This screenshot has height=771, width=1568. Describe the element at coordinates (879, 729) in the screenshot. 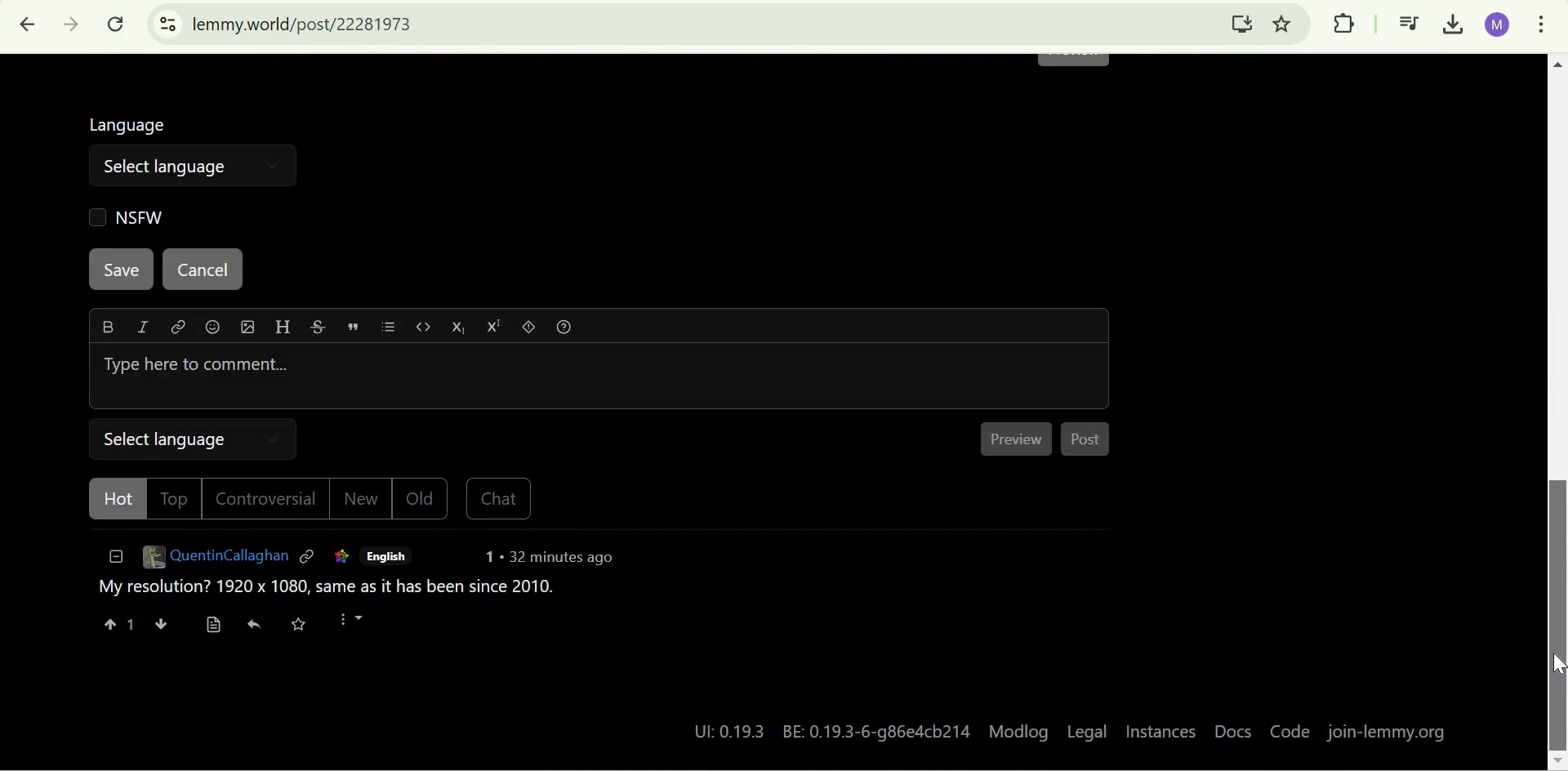

I see `BE: 0.19.3-6-g86e4cb214` at that location.